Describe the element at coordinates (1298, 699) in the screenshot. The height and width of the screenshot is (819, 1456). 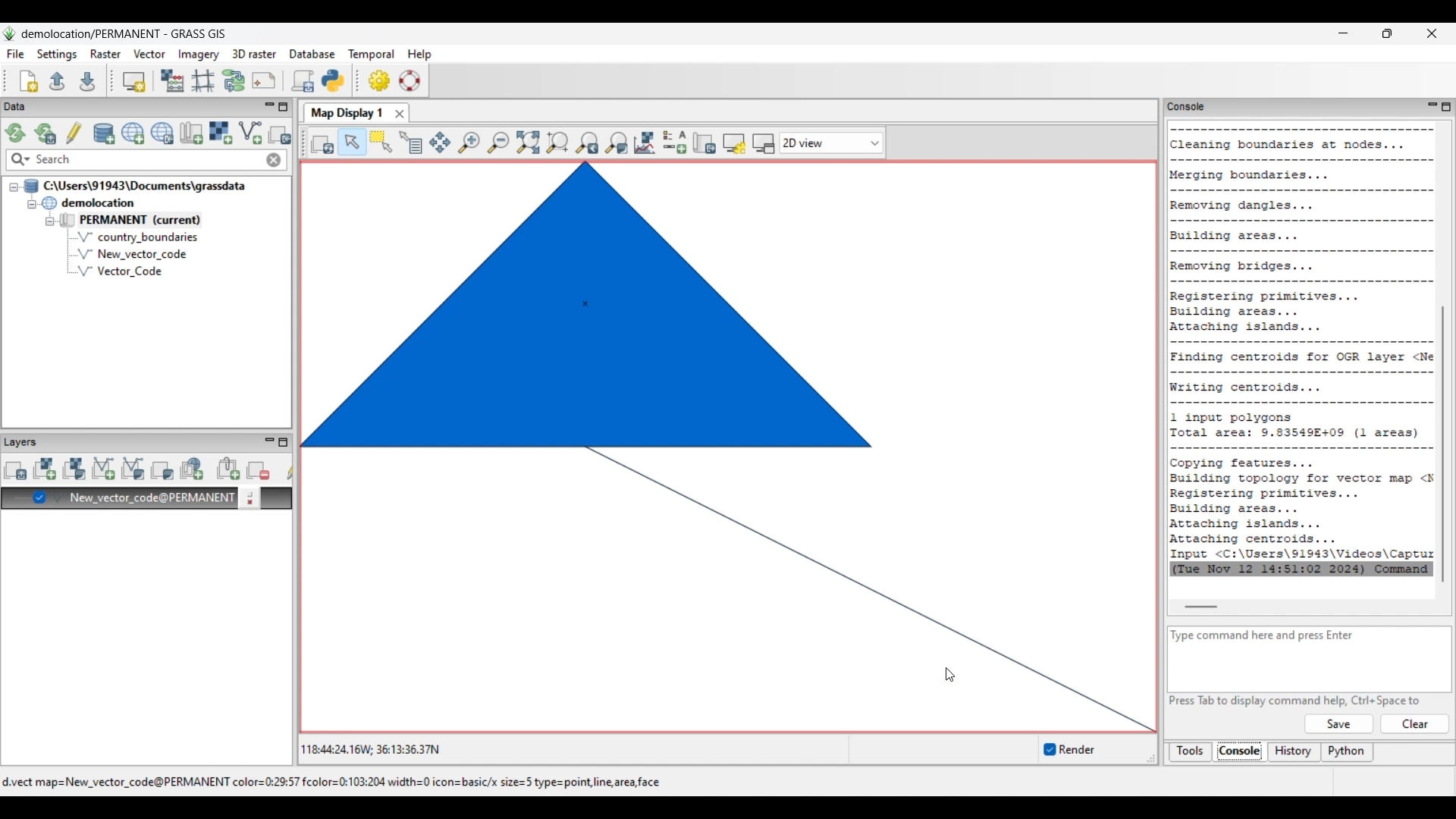
I see `|| Press Tab to display command help, Ctri+Space to` at that location.